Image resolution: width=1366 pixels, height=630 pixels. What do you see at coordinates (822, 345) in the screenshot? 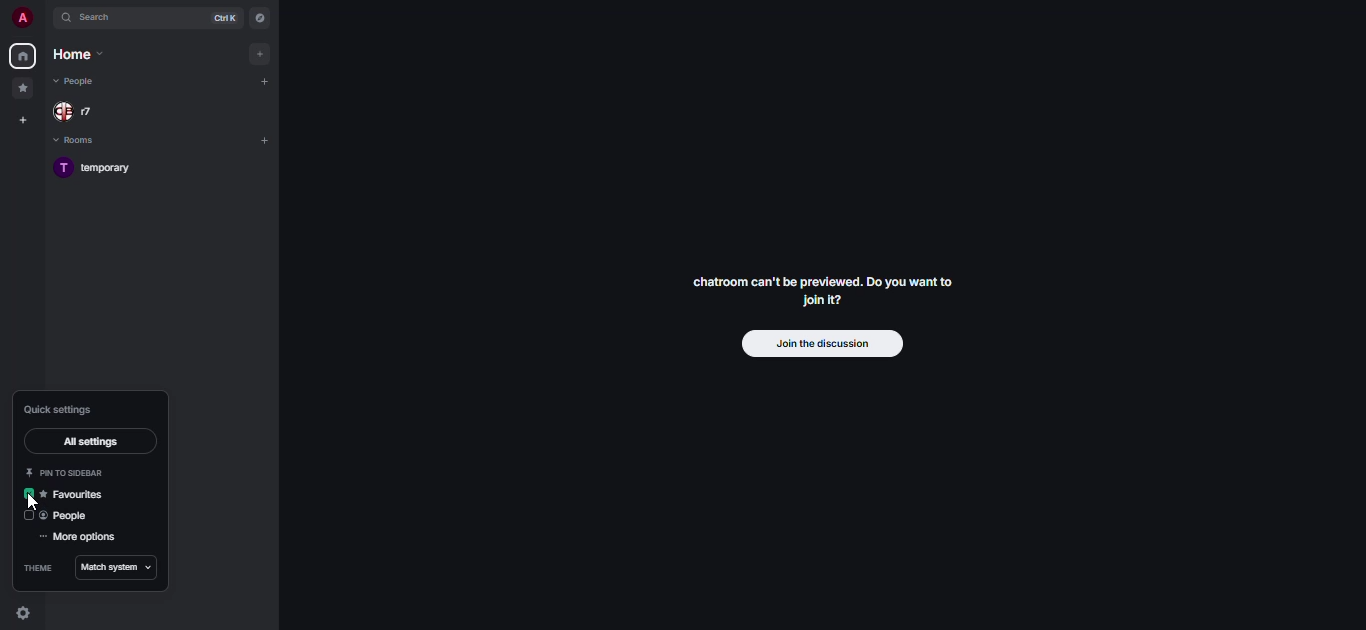
I see `join the discussion` at bounding box center [822, 345].